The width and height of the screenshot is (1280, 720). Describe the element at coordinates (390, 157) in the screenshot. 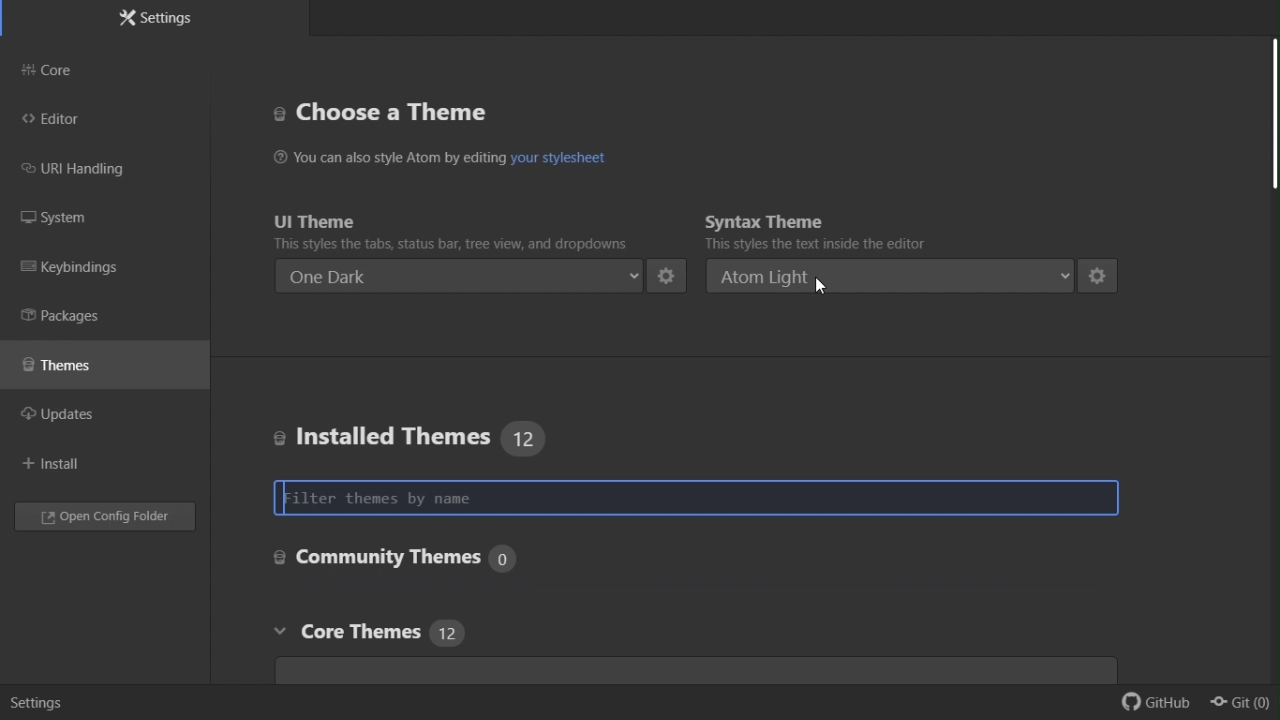

I see `You can also style Atom by editing` at that location.